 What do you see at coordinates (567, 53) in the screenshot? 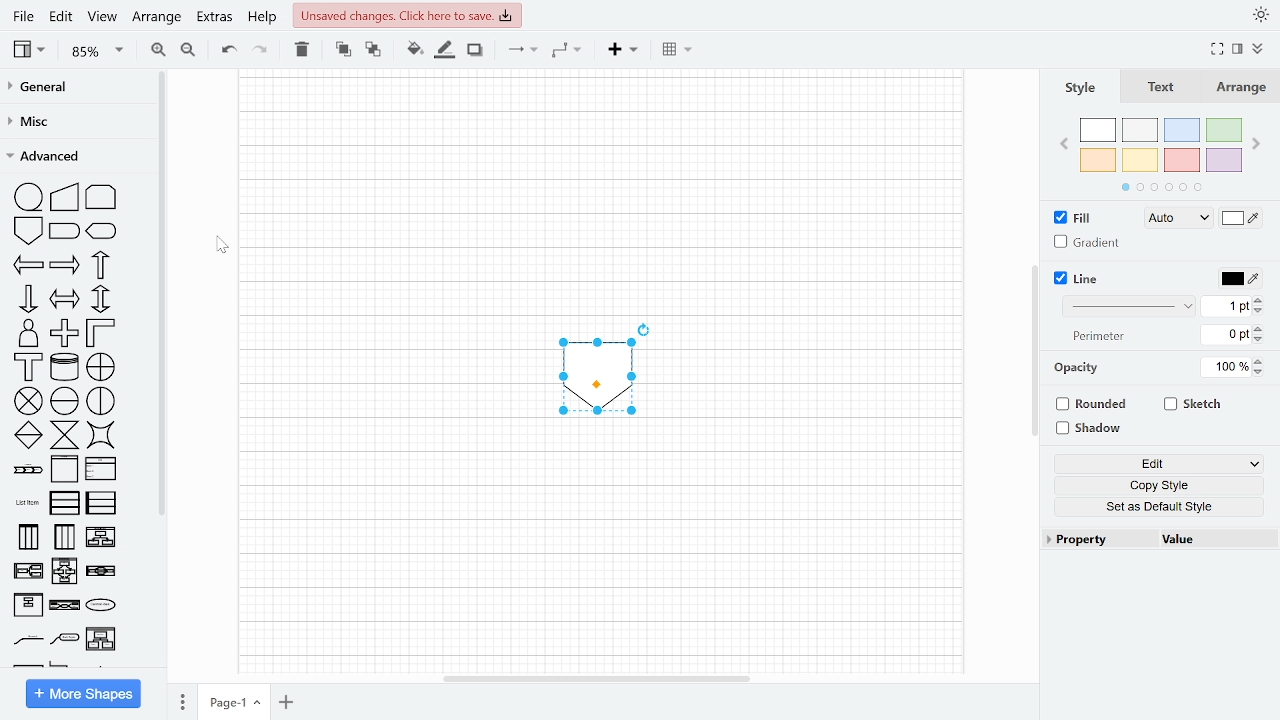
I see `Waypoints` at bounding box center [567, 53].